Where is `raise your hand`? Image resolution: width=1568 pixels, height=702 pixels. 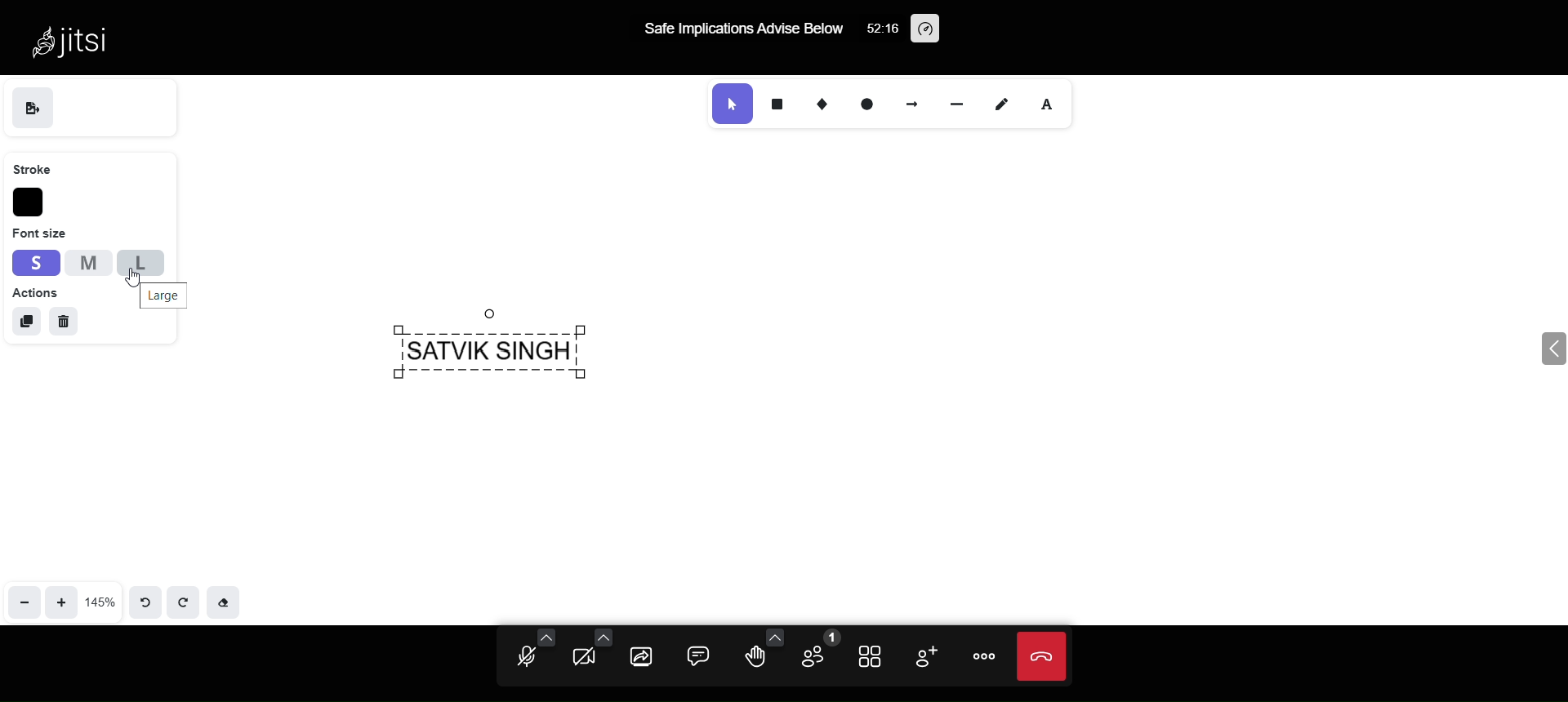
raise your hand is located at coordinates (759, 661).